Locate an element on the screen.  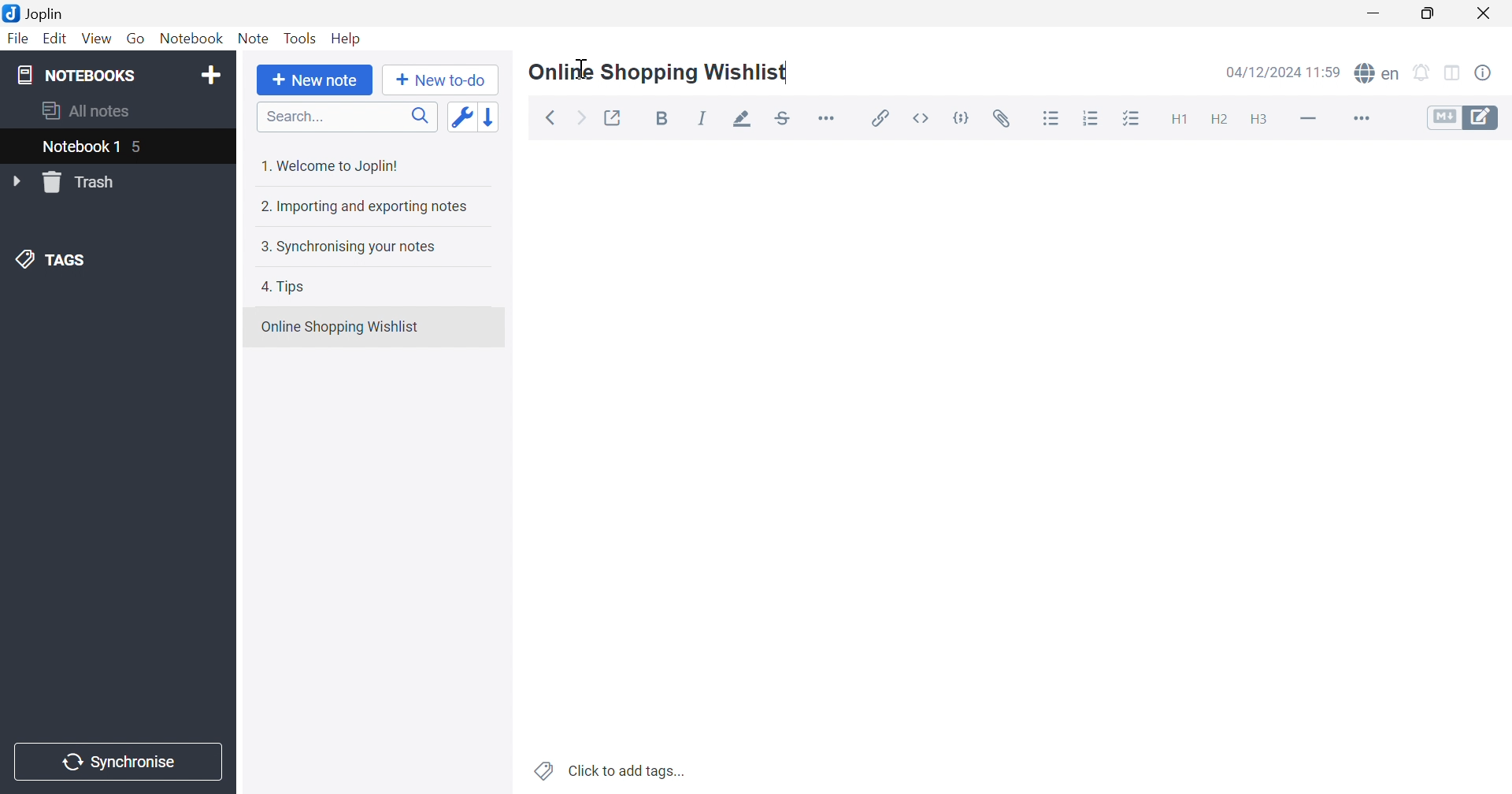
Click to add tags... is located at coordinates (609, 770).